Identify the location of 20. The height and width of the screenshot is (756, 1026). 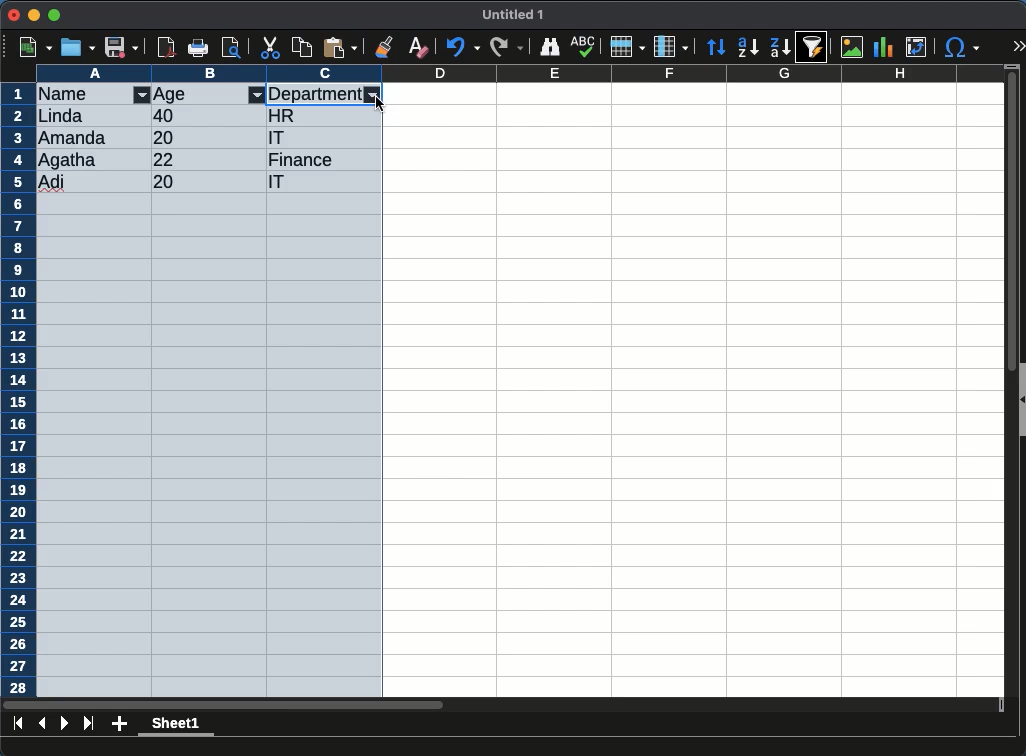
(167, 137).